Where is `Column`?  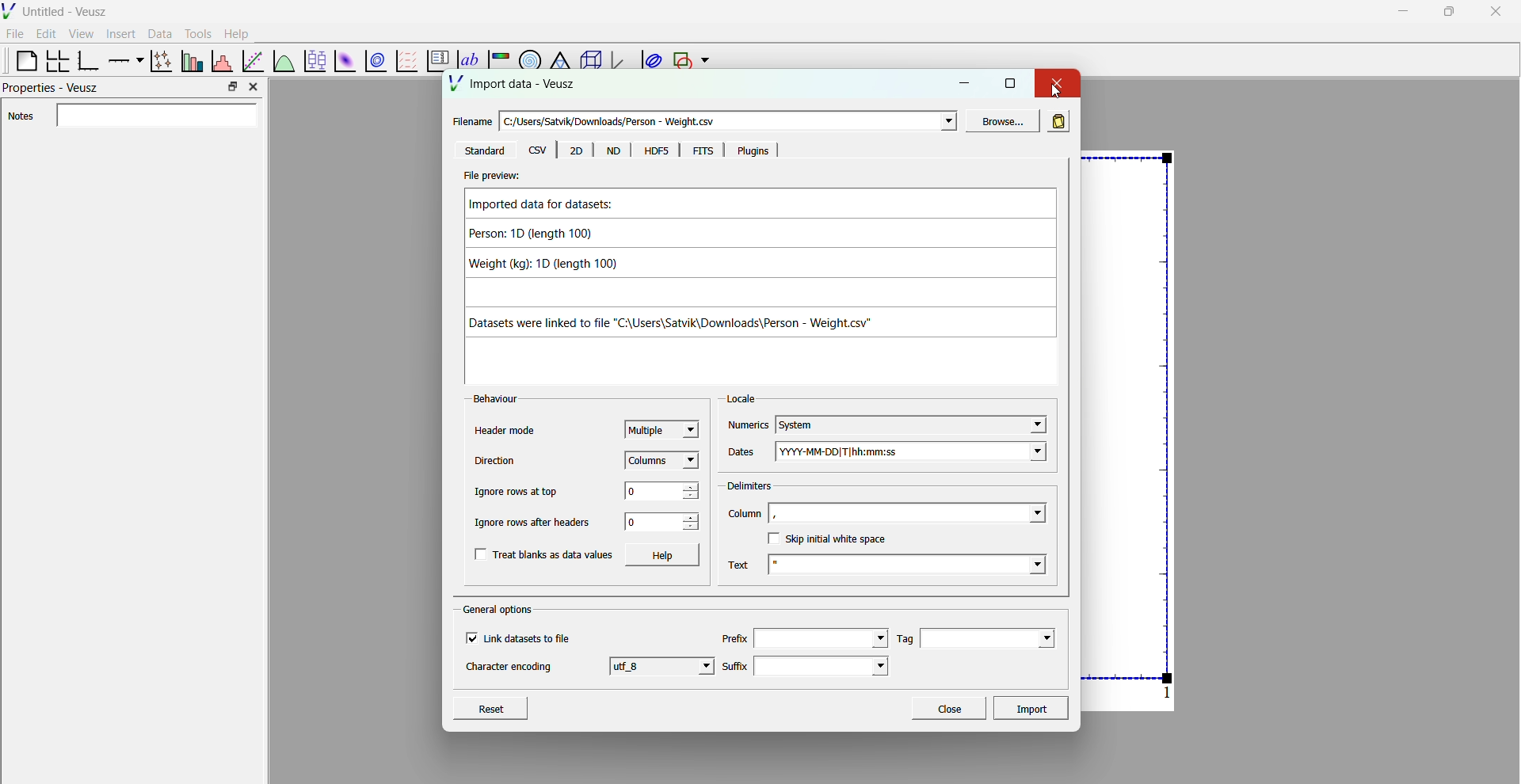
Column is located at coordinates (745, 515).